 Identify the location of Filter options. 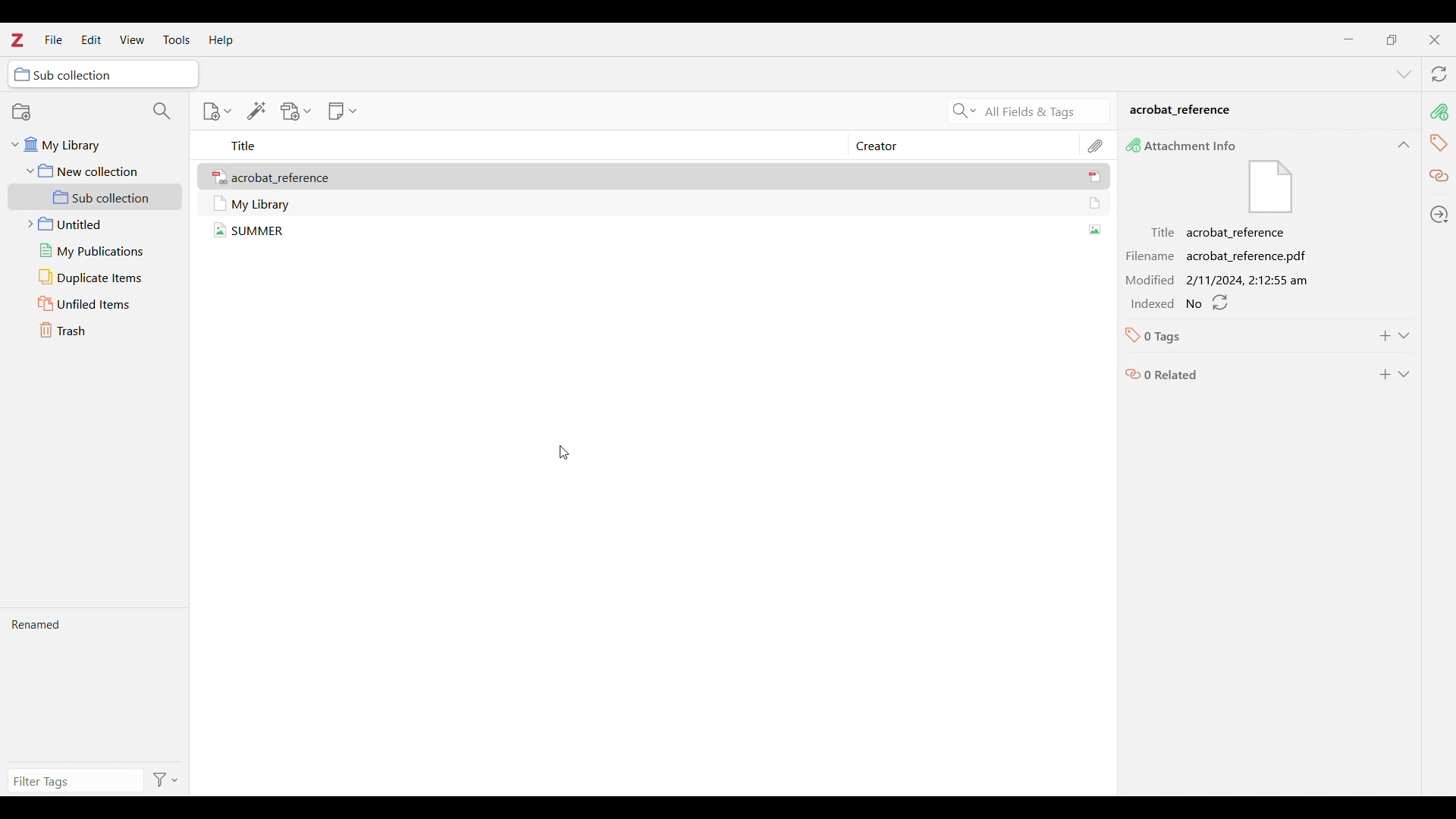
(166, 779).